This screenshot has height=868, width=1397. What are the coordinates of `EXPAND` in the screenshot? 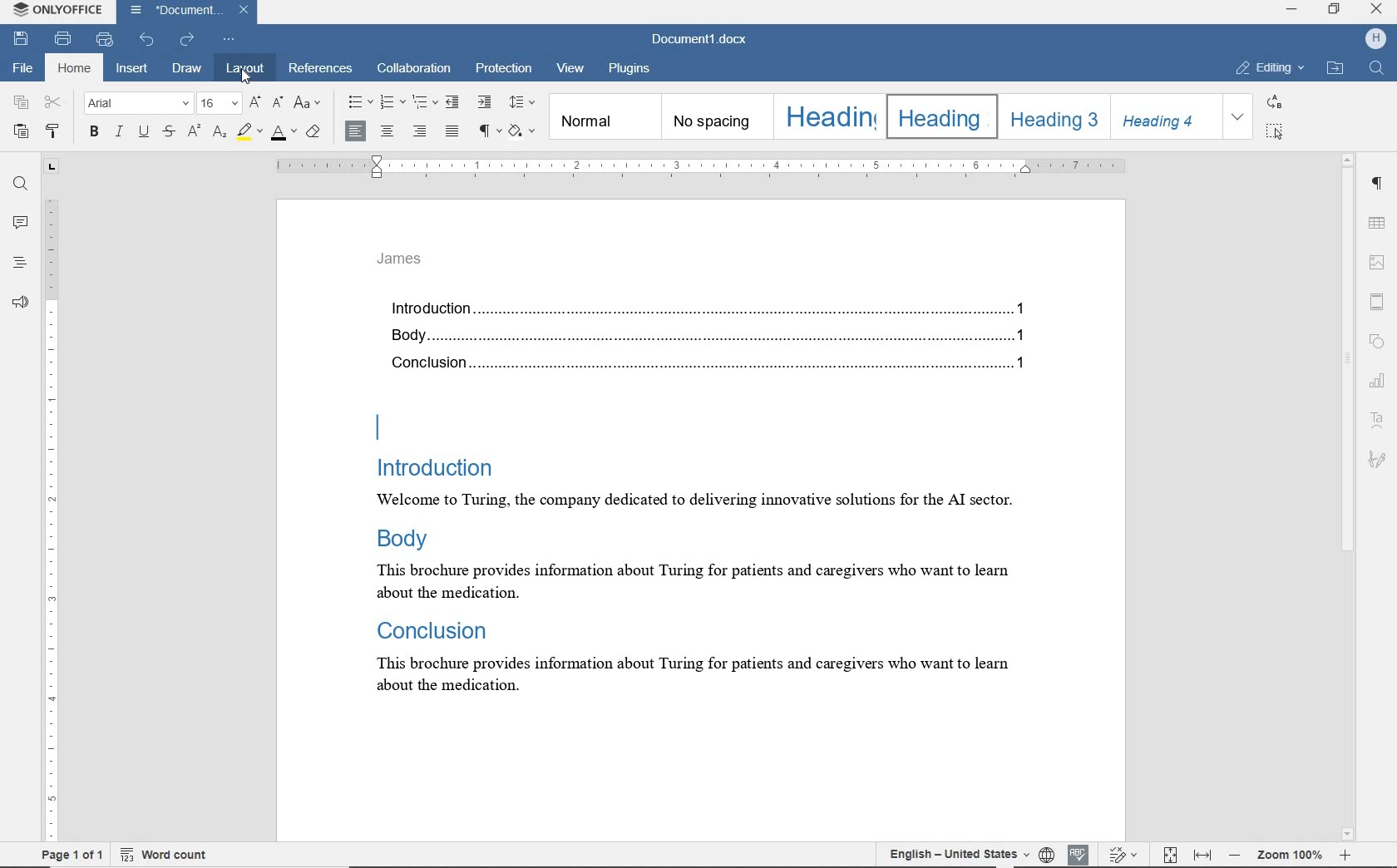 It's located at (1237, 116).